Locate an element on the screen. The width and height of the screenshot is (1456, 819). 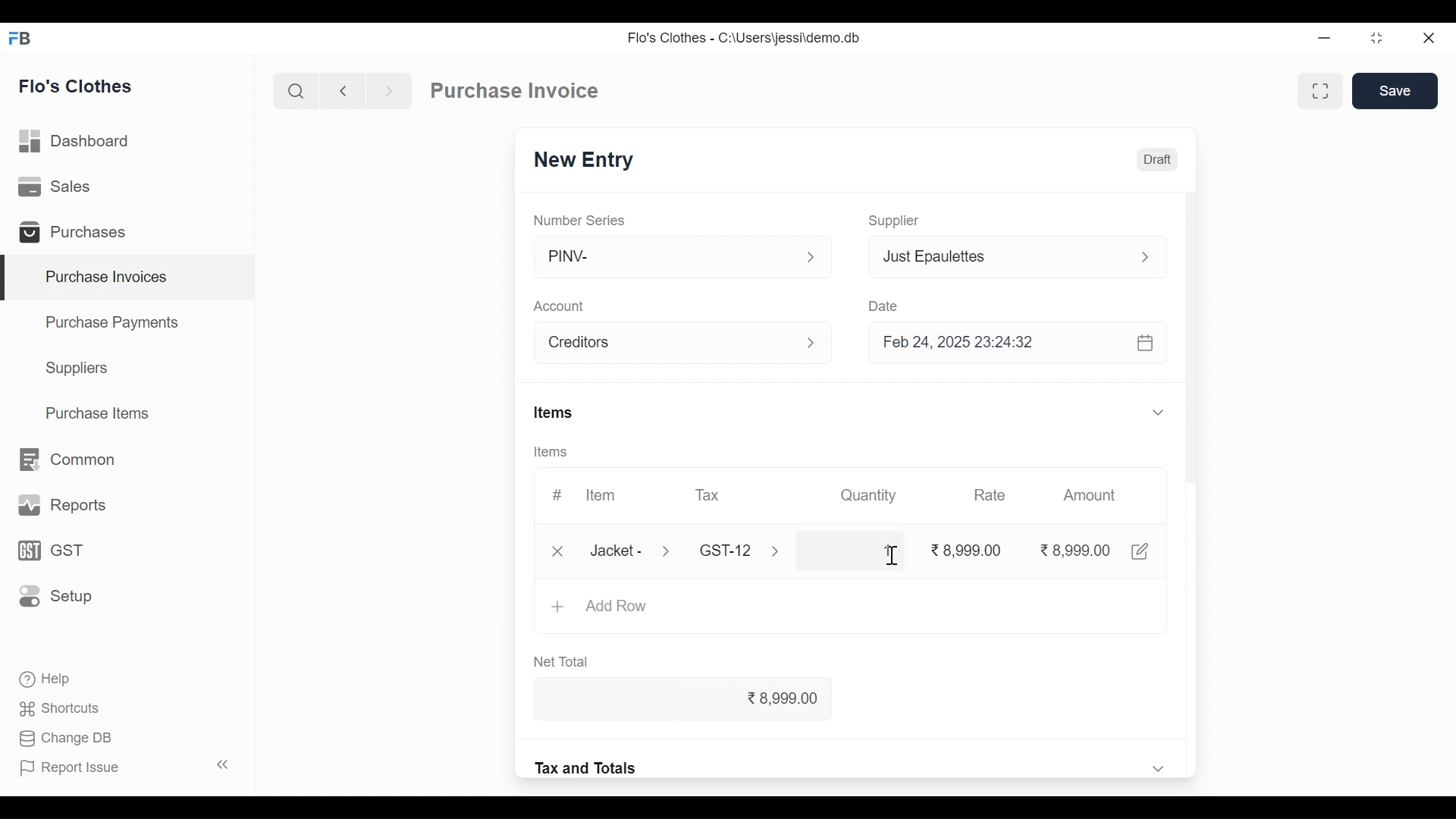
Save is located at coordinates (1395, 91).